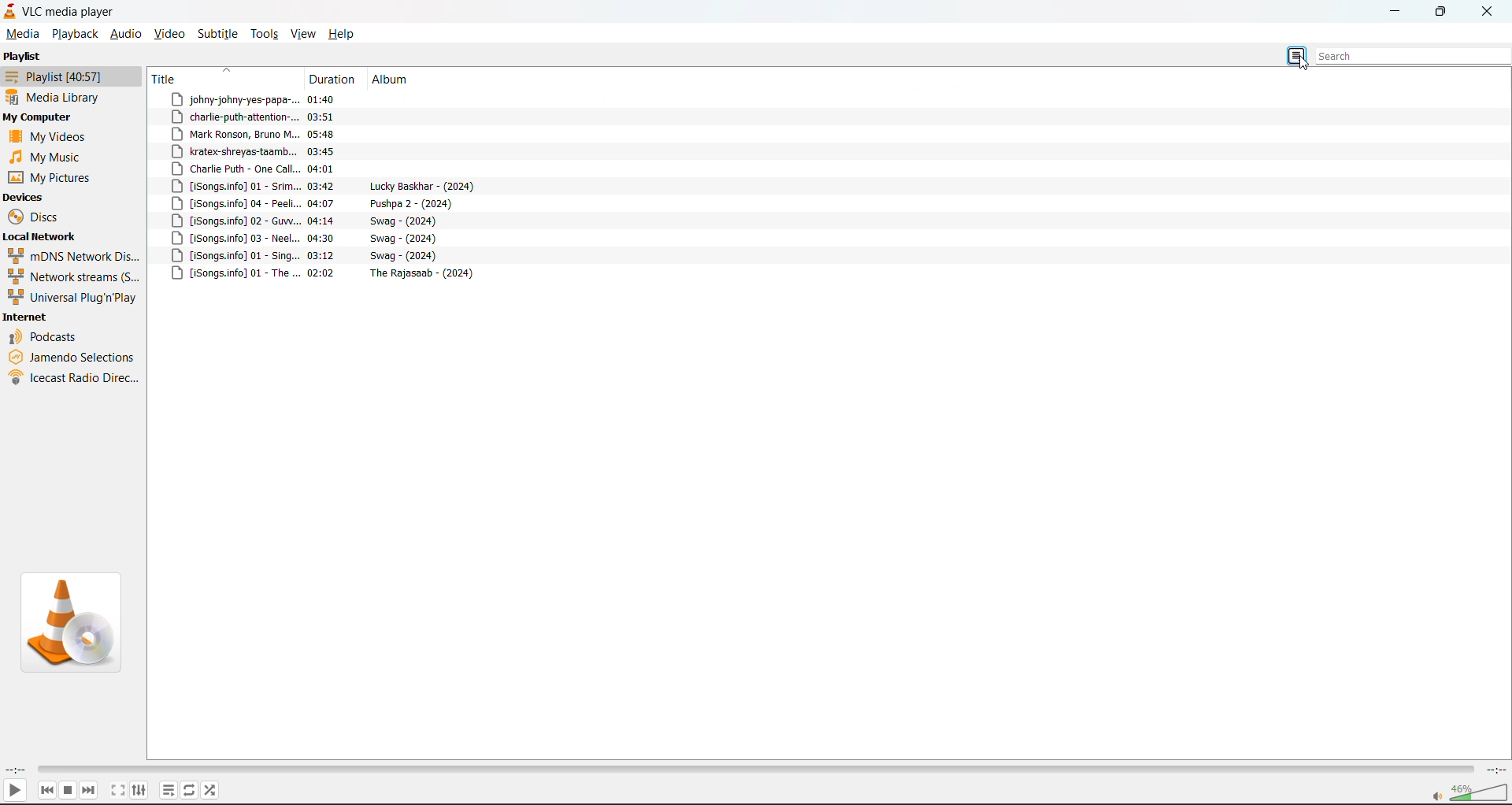 This screenshot has width=1512, height=805. What do you see at coordinates (74, 276) in the screenshot?
I see `network streams` at bounding box center [74, 276].